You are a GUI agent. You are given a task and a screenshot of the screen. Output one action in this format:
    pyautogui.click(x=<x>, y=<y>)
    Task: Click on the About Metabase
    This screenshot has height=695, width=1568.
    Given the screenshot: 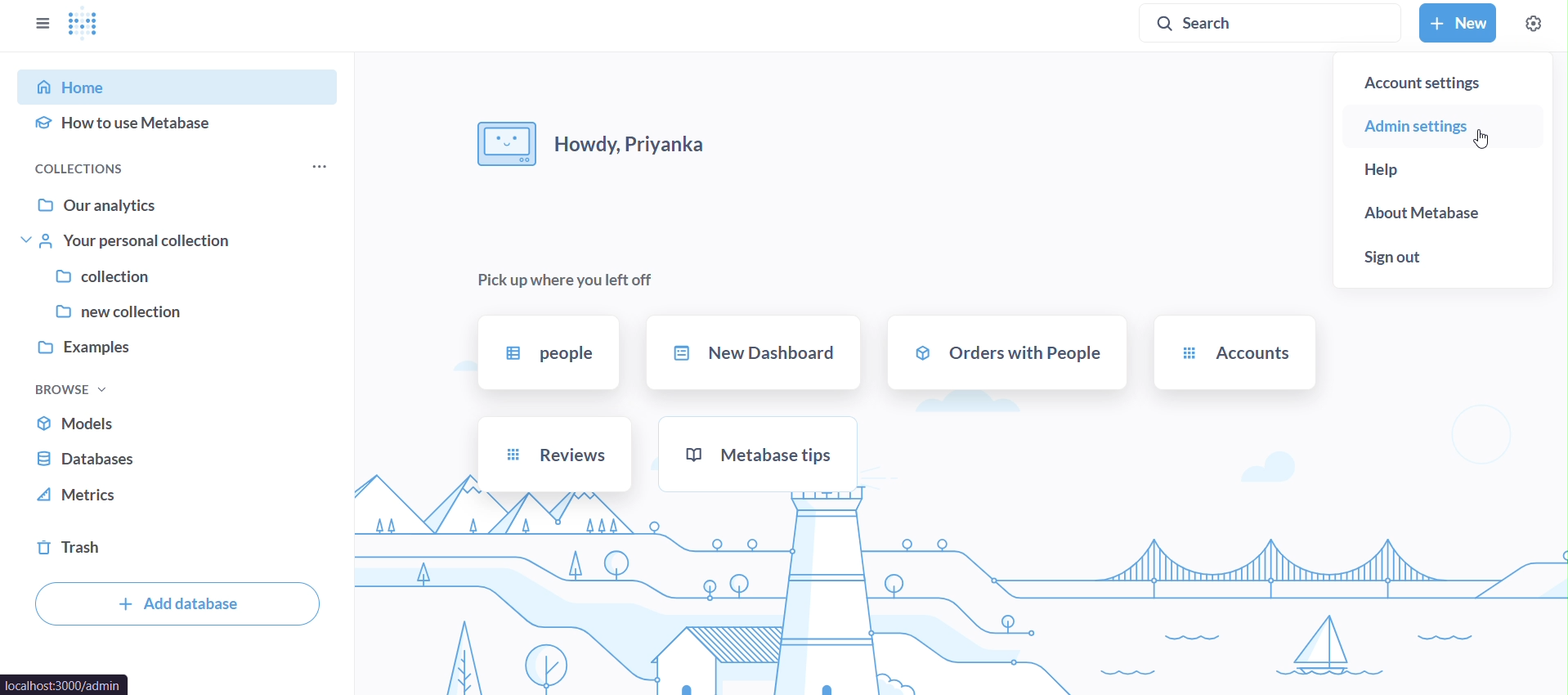 What is the action you would take?
    pyautogui.click(x=1443, y=216)
    